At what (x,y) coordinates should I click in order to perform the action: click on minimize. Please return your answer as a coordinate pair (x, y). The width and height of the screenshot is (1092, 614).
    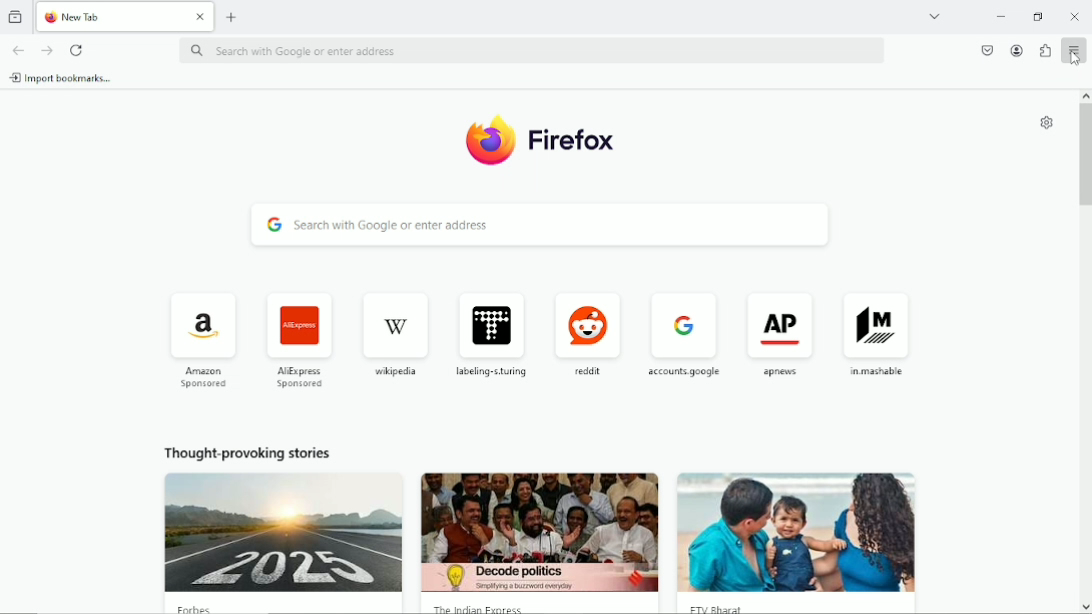
    Looking at the image, I should click on (1003, 17).